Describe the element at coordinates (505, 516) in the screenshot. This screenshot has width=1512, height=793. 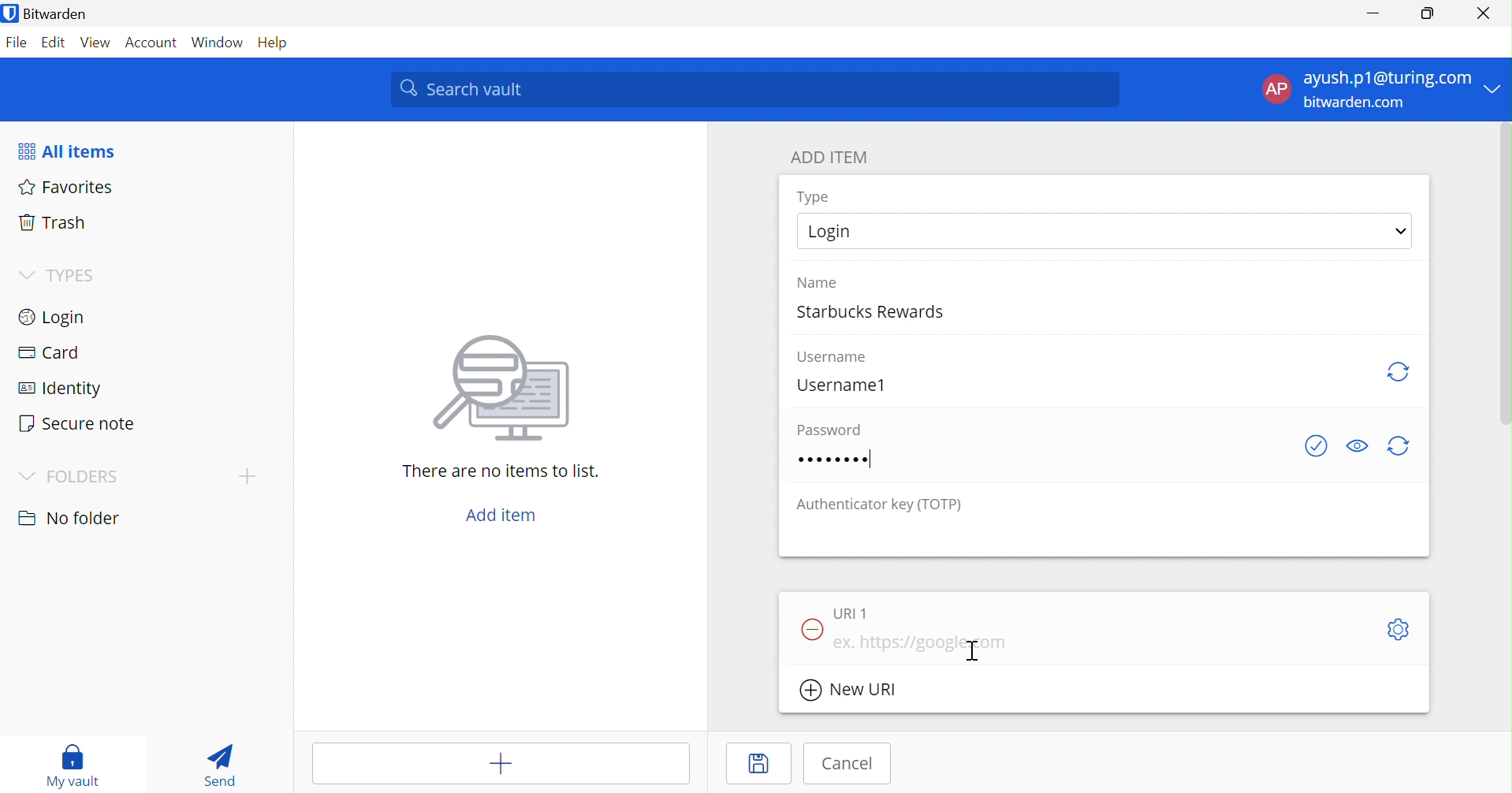
I see `Add item` at that location.